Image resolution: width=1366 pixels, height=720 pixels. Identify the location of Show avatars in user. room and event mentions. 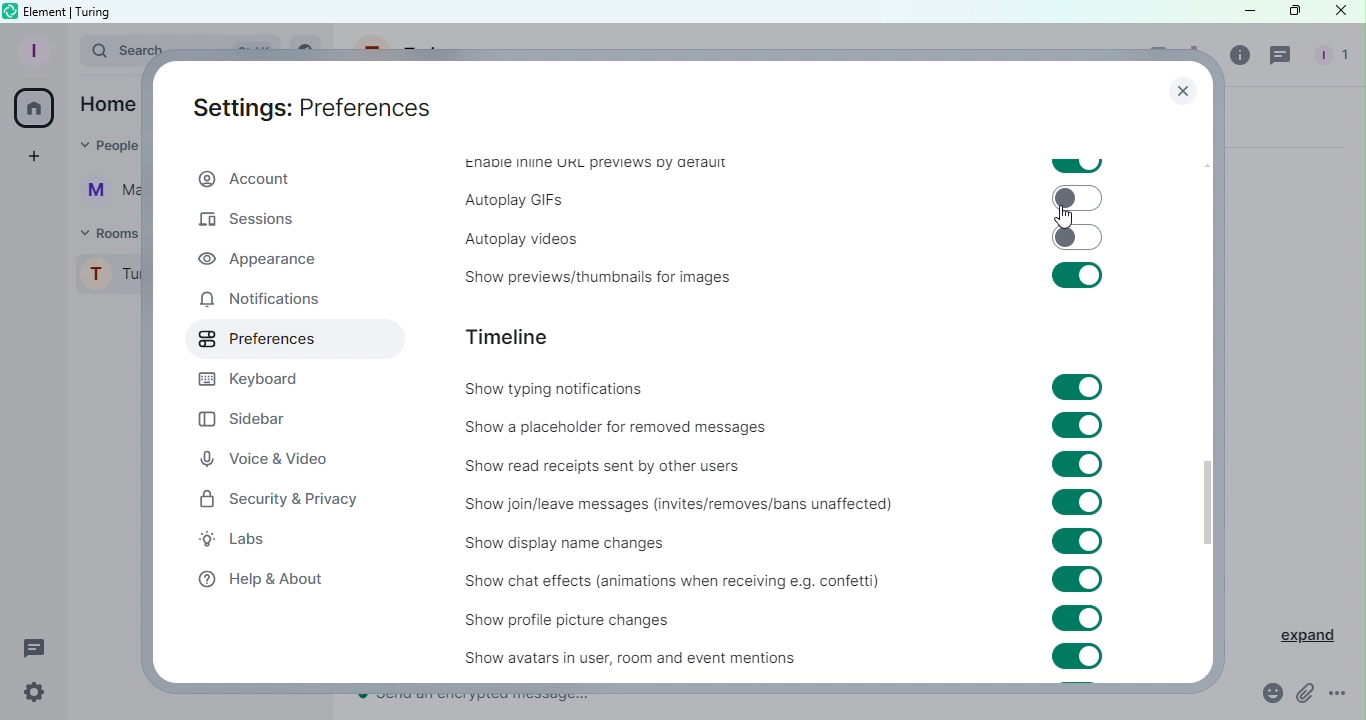
(606, 657).